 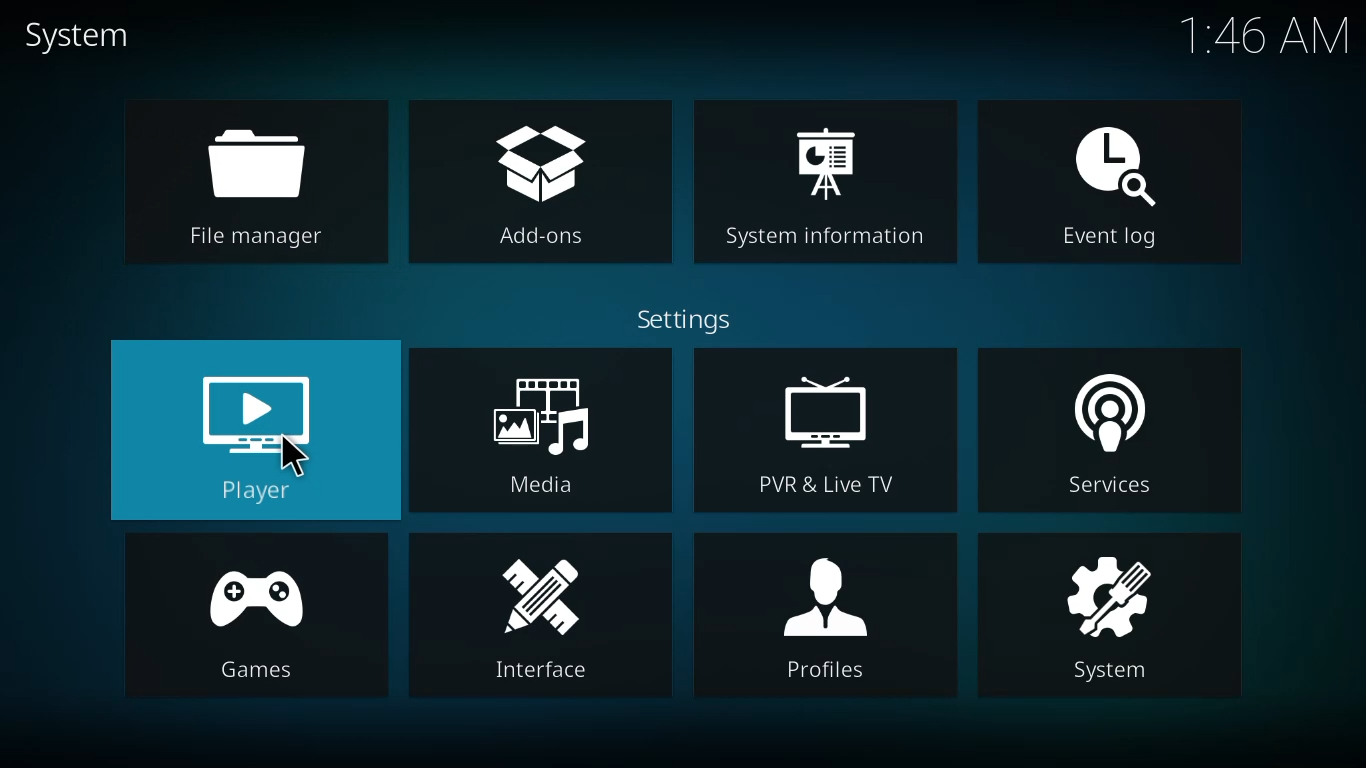 What do you see at coordinates (1260, 35) in the screenshot?
I see `time` at bounding box center [1260, 35].